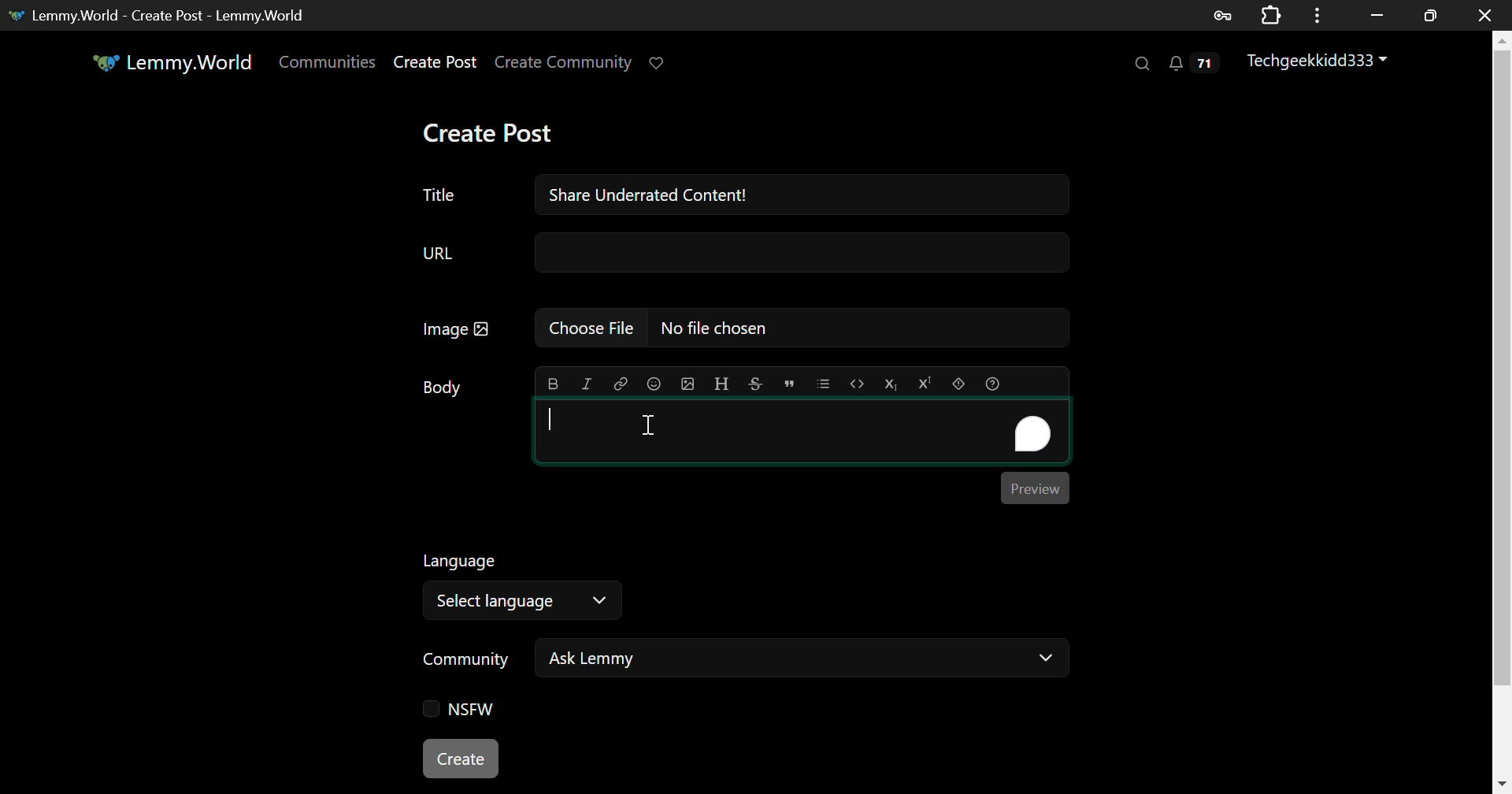  Describe the element at coordinates (1317, 15) in the screenshot. I see `Menu` at that location.